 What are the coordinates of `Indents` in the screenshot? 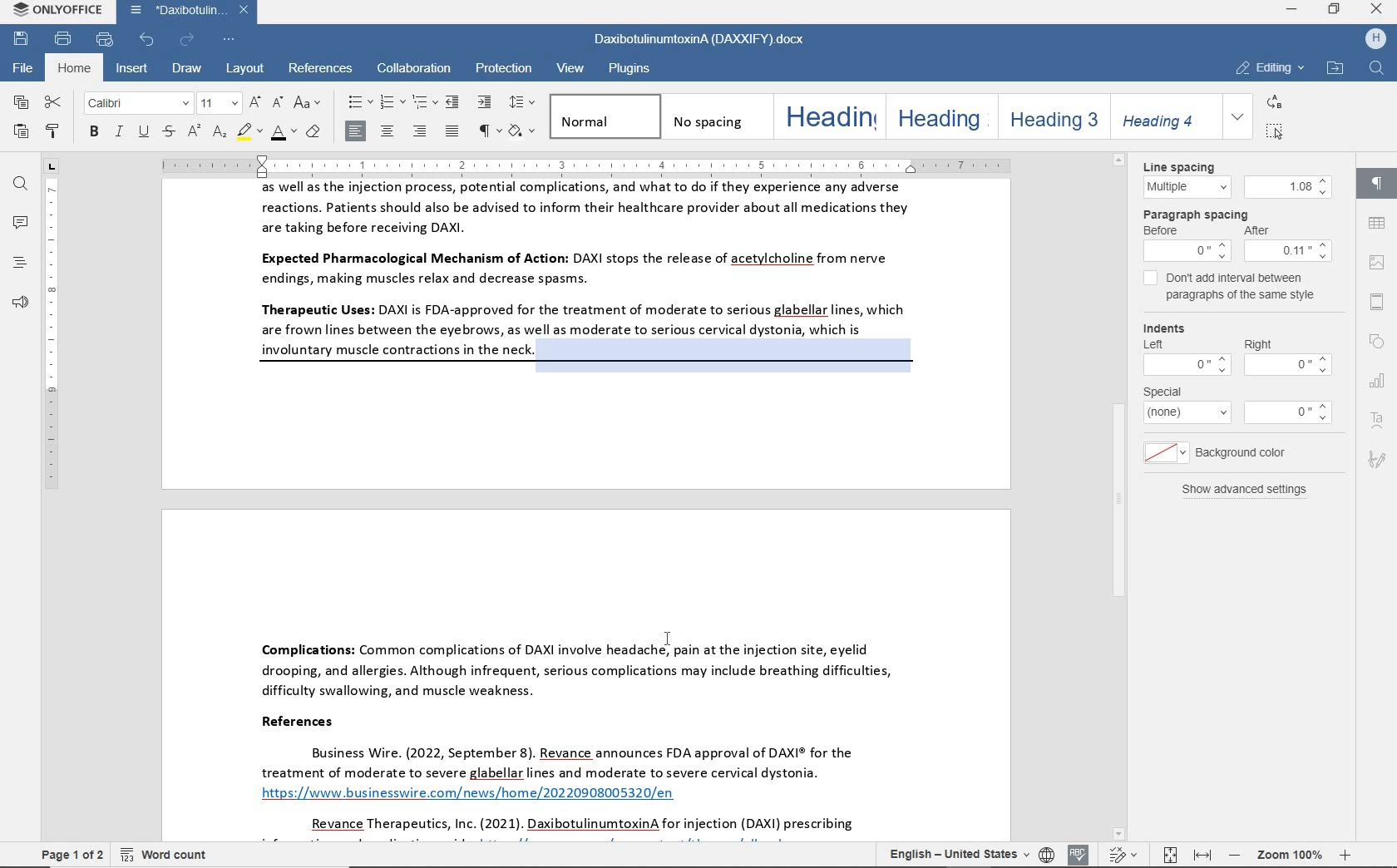 It's located at (1236, 348).